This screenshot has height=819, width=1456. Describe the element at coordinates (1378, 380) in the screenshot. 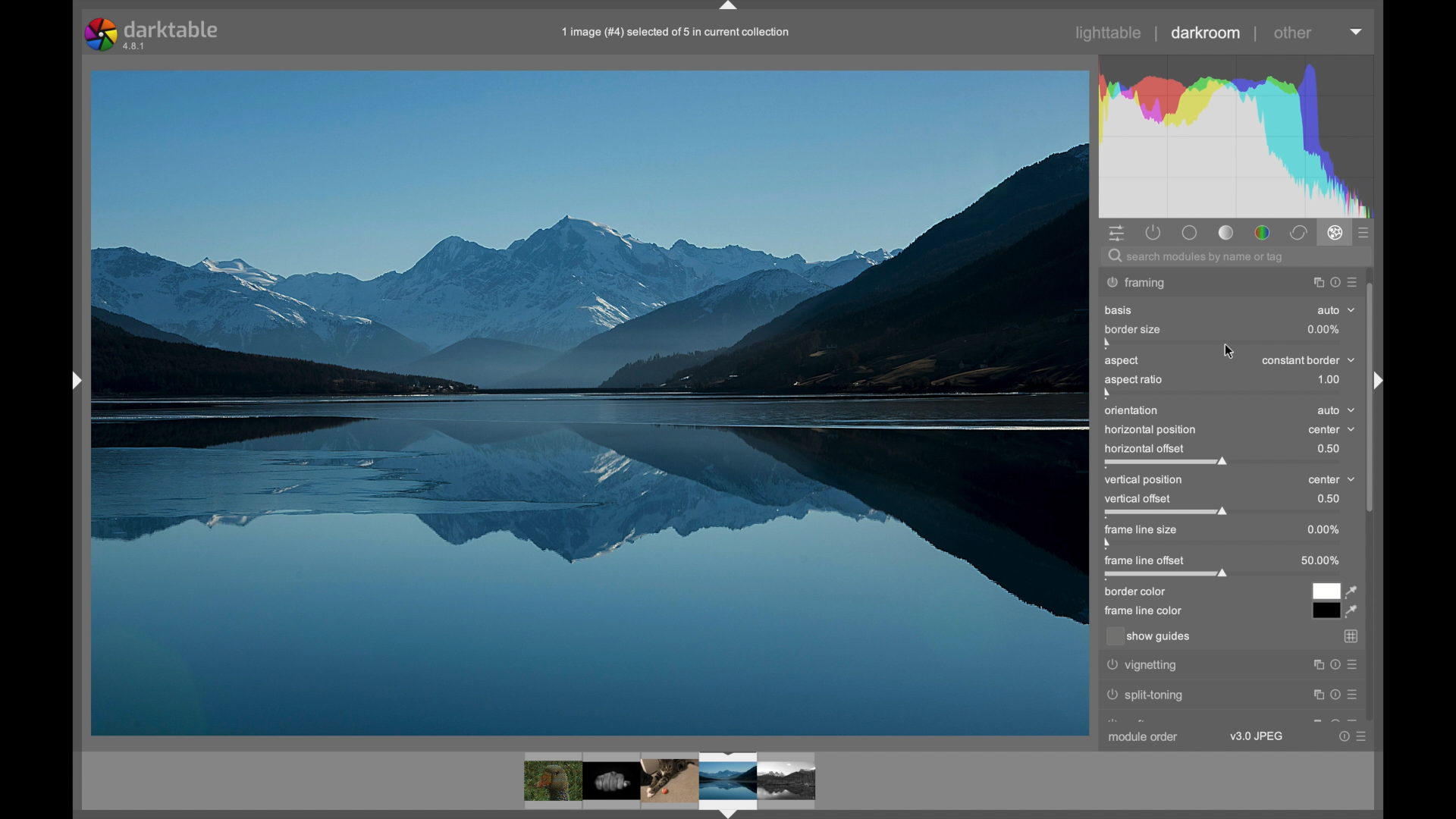

I see `` at that location.